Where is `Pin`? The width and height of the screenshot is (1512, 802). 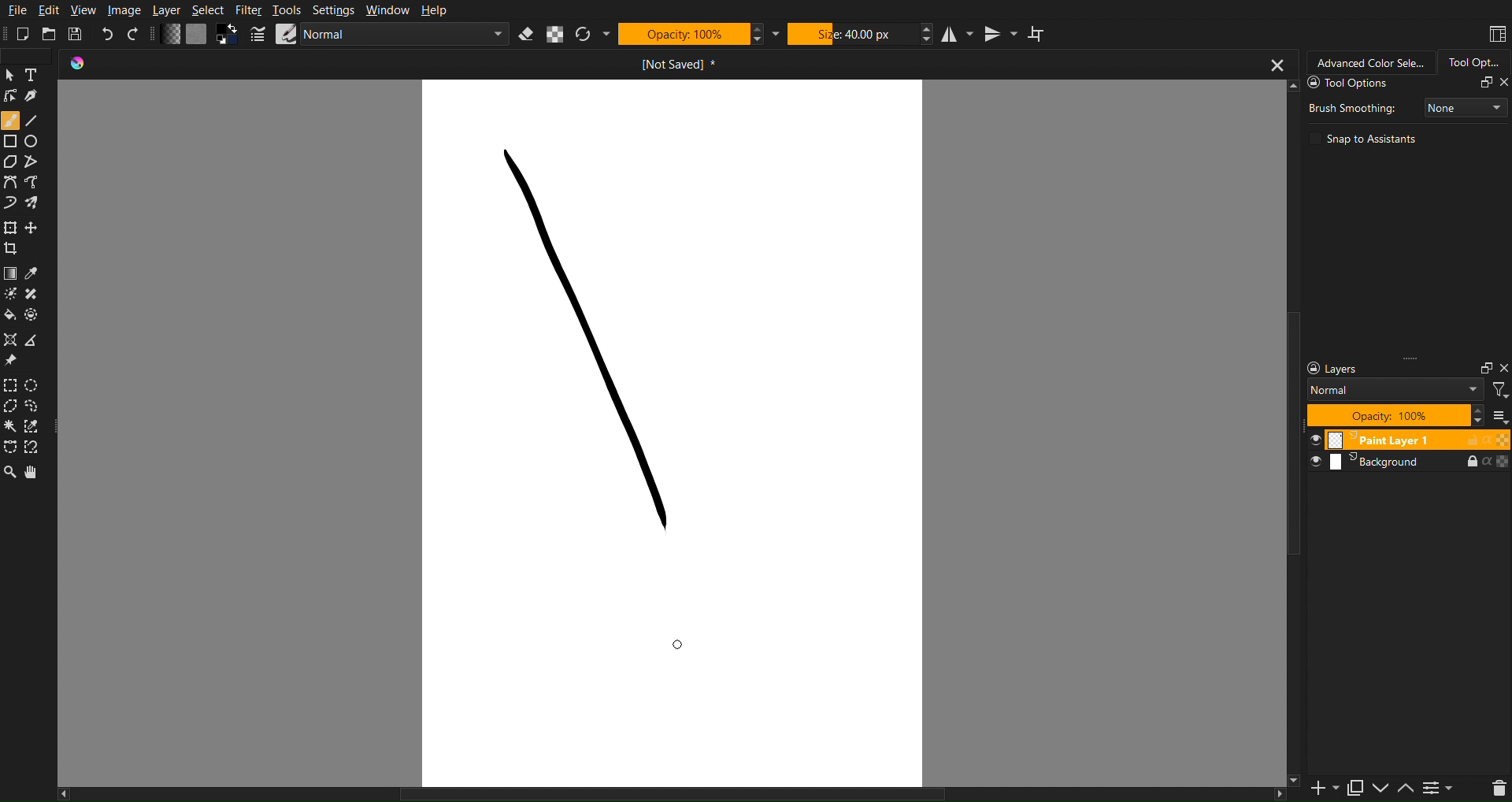
Pin is located at coordinates (12, 361).